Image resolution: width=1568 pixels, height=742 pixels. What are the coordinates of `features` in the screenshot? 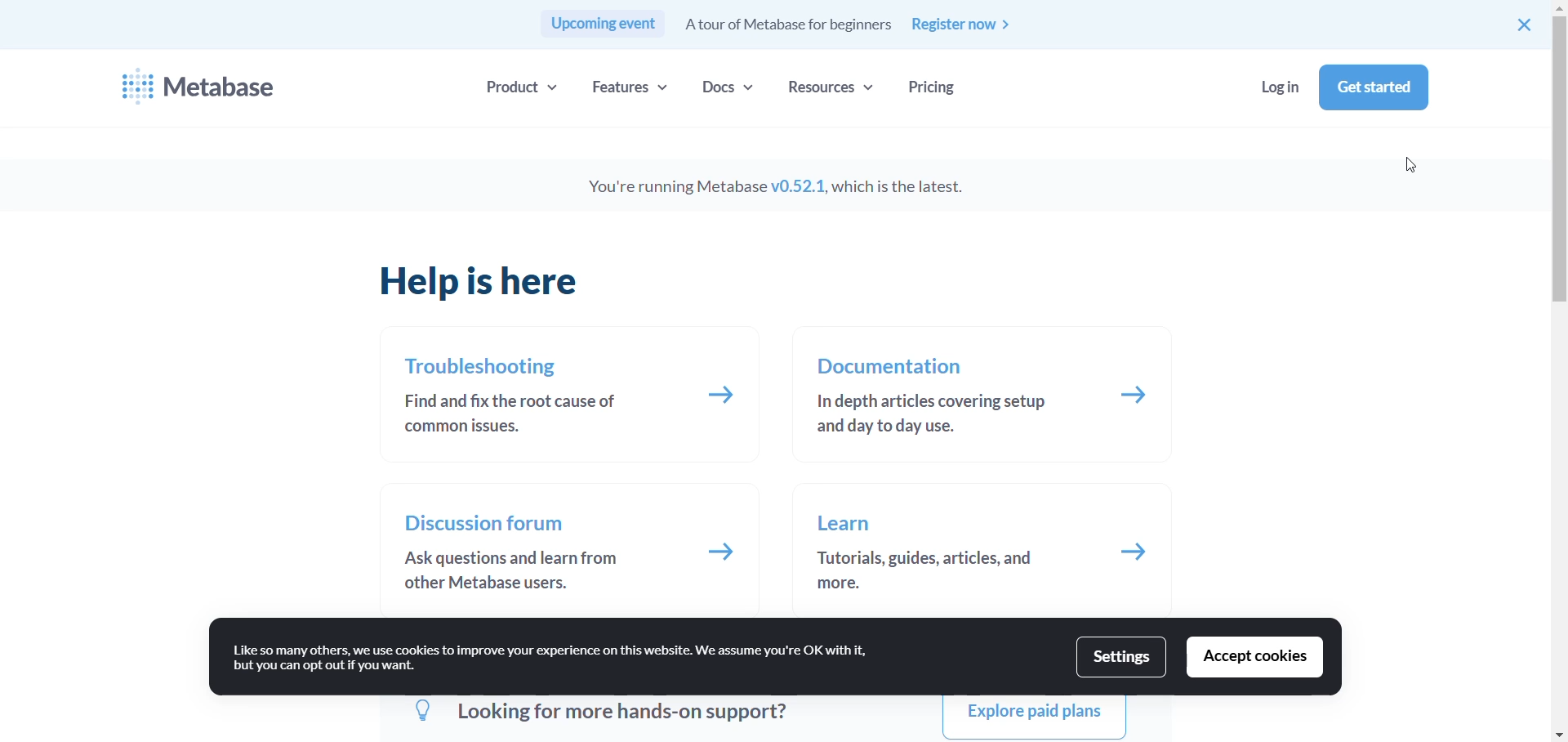 It's located at (635, 86).